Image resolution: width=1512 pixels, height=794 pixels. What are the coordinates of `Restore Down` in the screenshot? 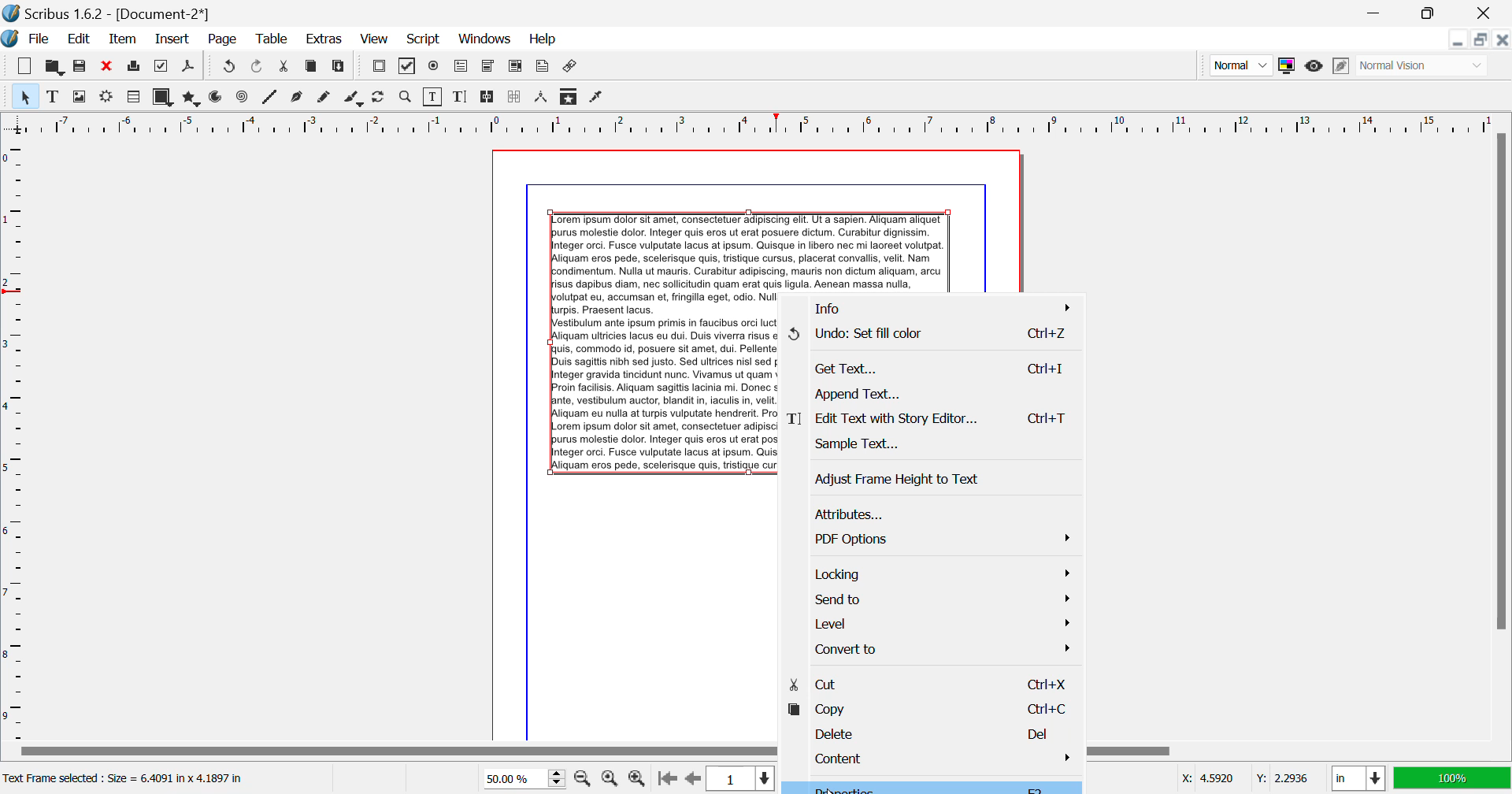 It's located at (1459, 39).